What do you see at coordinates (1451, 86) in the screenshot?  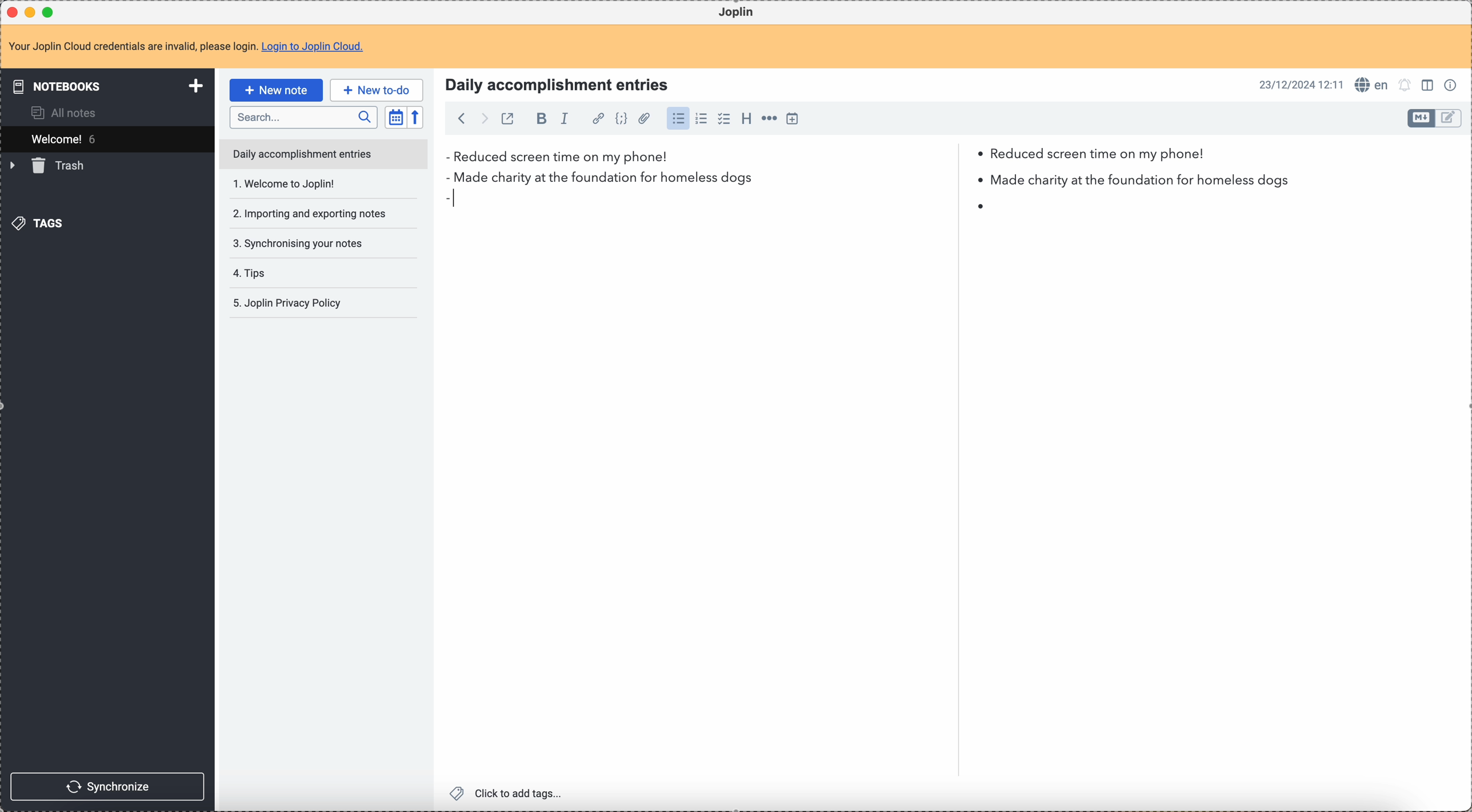 I see `note properties` at bounding box center [1451, 86].